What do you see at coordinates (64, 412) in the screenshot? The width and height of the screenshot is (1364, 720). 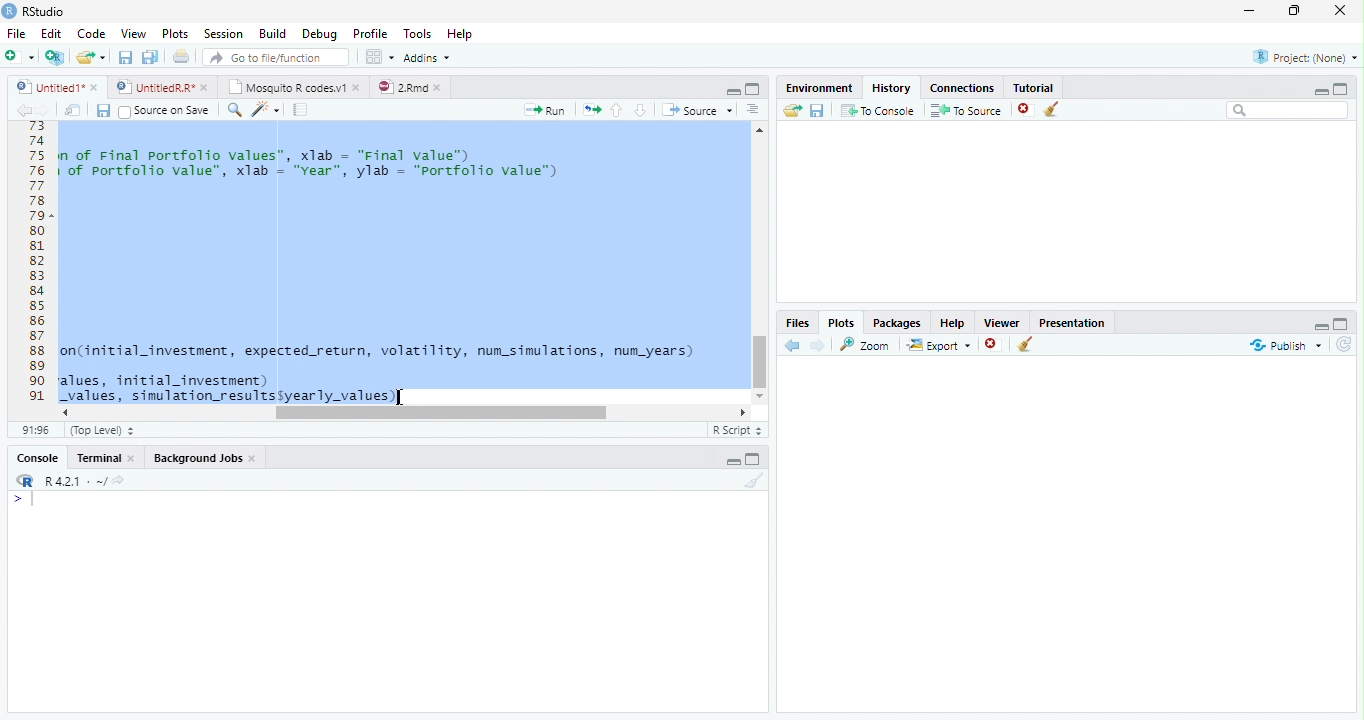 I see `Scroll Left` at bounding box center [64, 412].